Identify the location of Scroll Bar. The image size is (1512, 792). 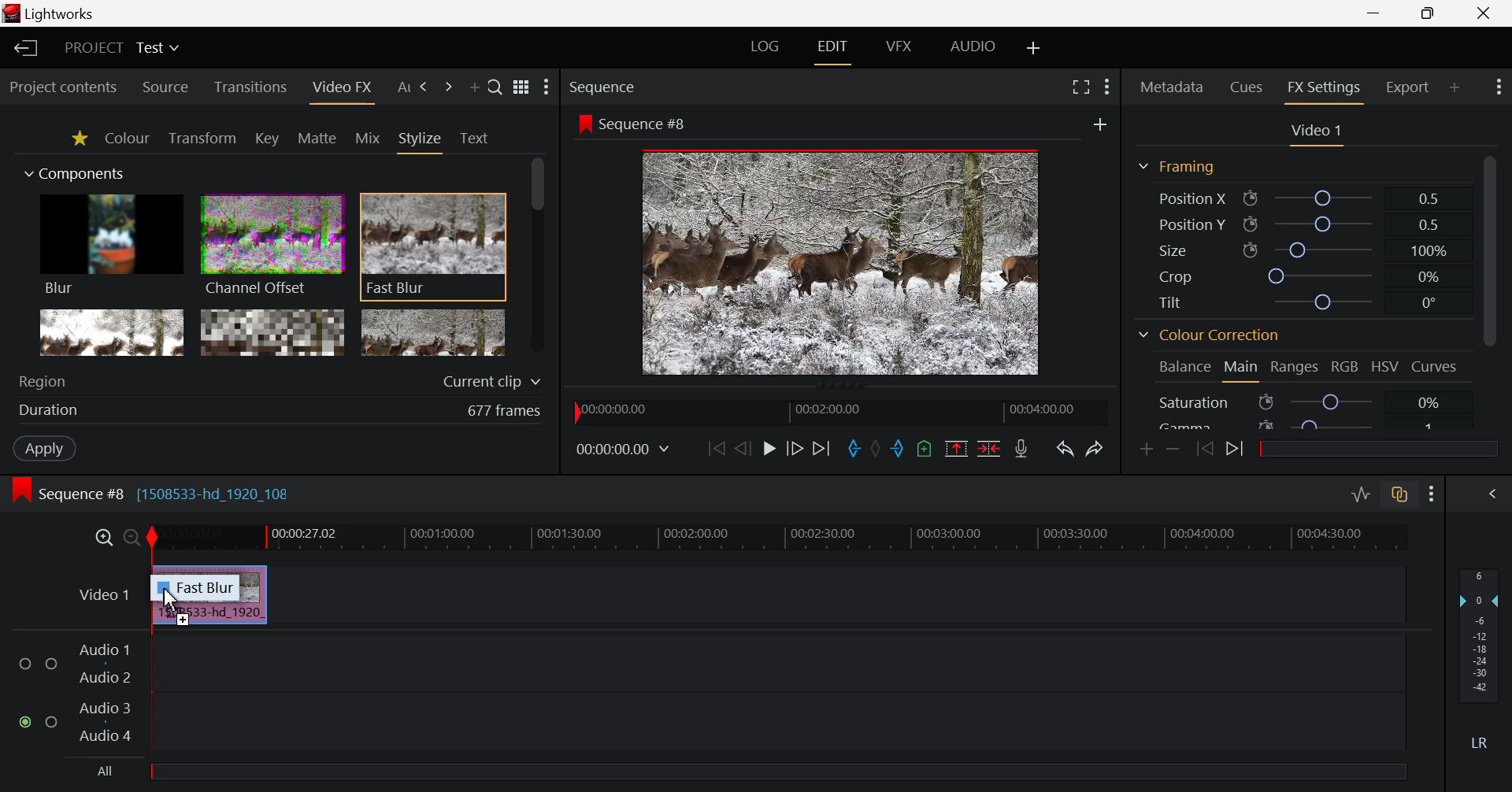
(540, 257).